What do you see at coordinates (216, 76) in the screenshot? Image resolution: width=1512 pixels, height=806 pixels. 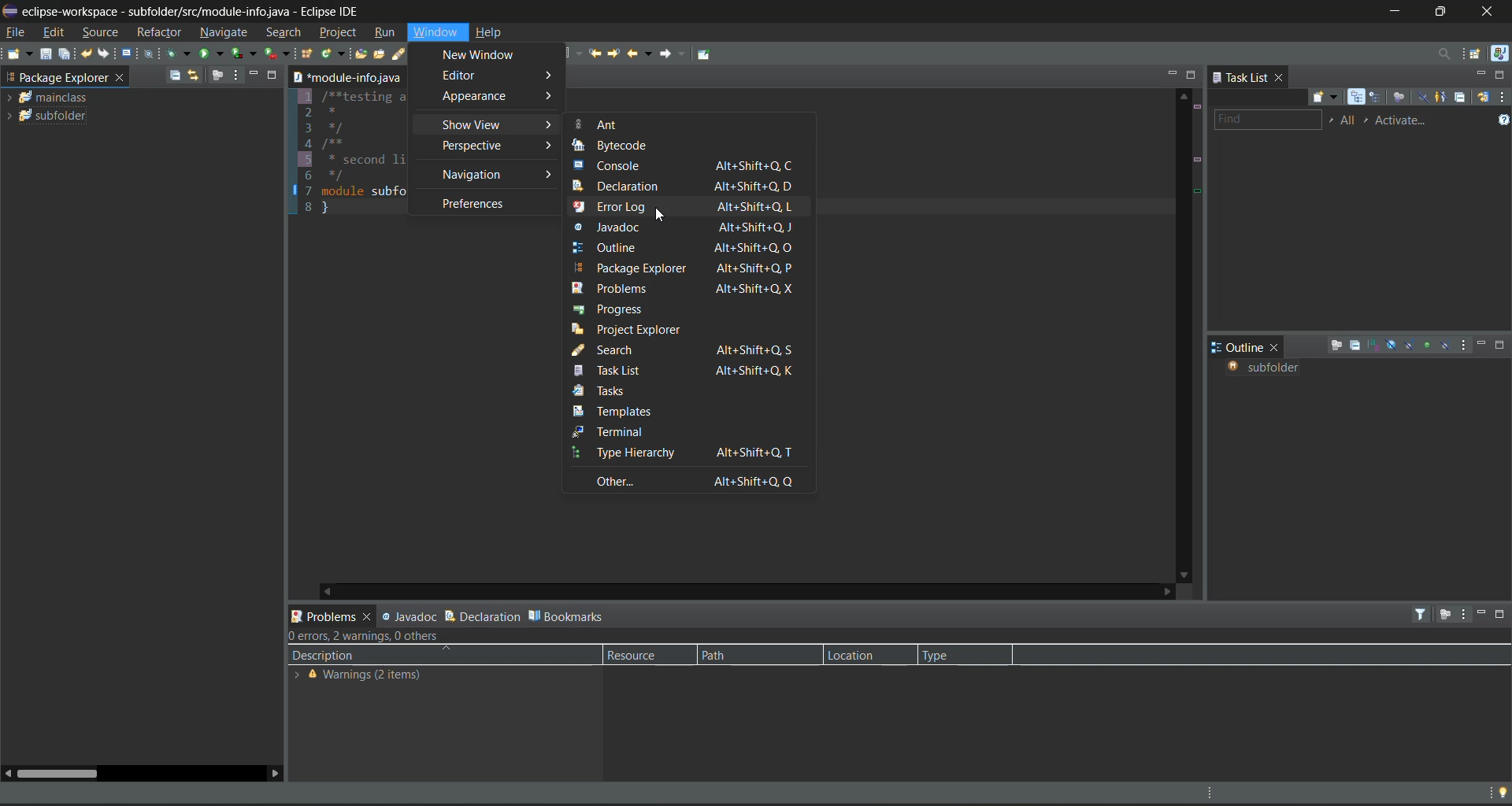 I see `focus on active task` at bounding box center [216, 76].